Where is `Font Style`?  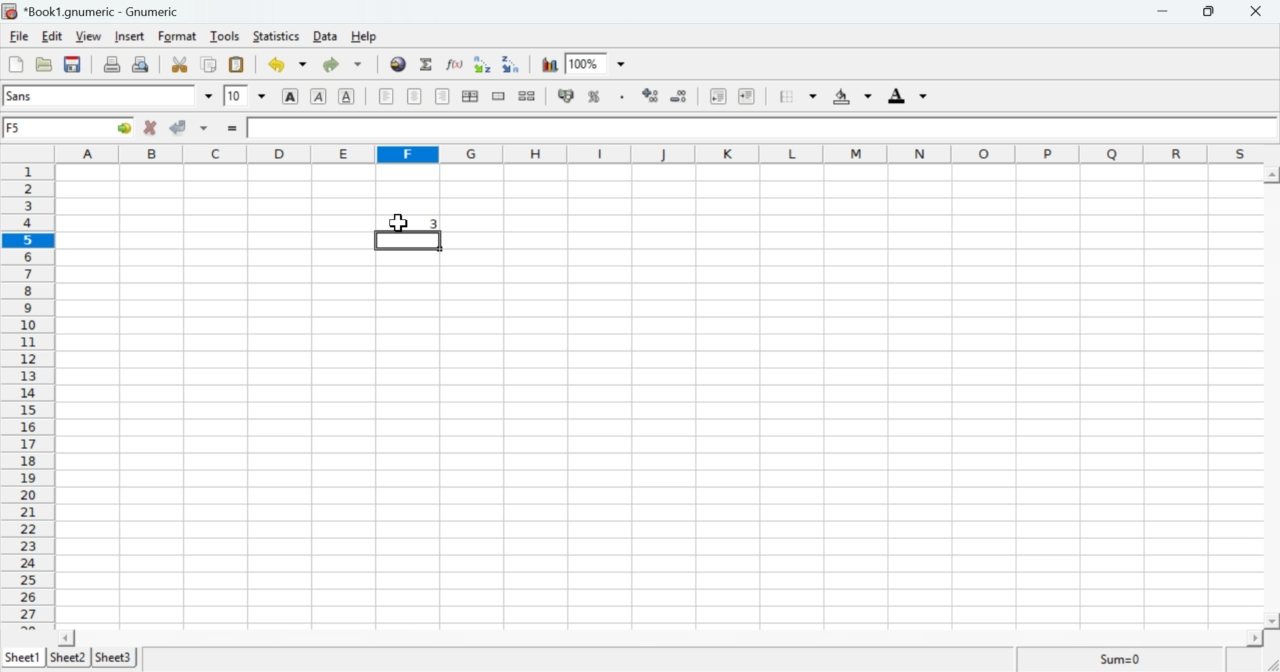
Font Style is located at coordinates (101, 96).